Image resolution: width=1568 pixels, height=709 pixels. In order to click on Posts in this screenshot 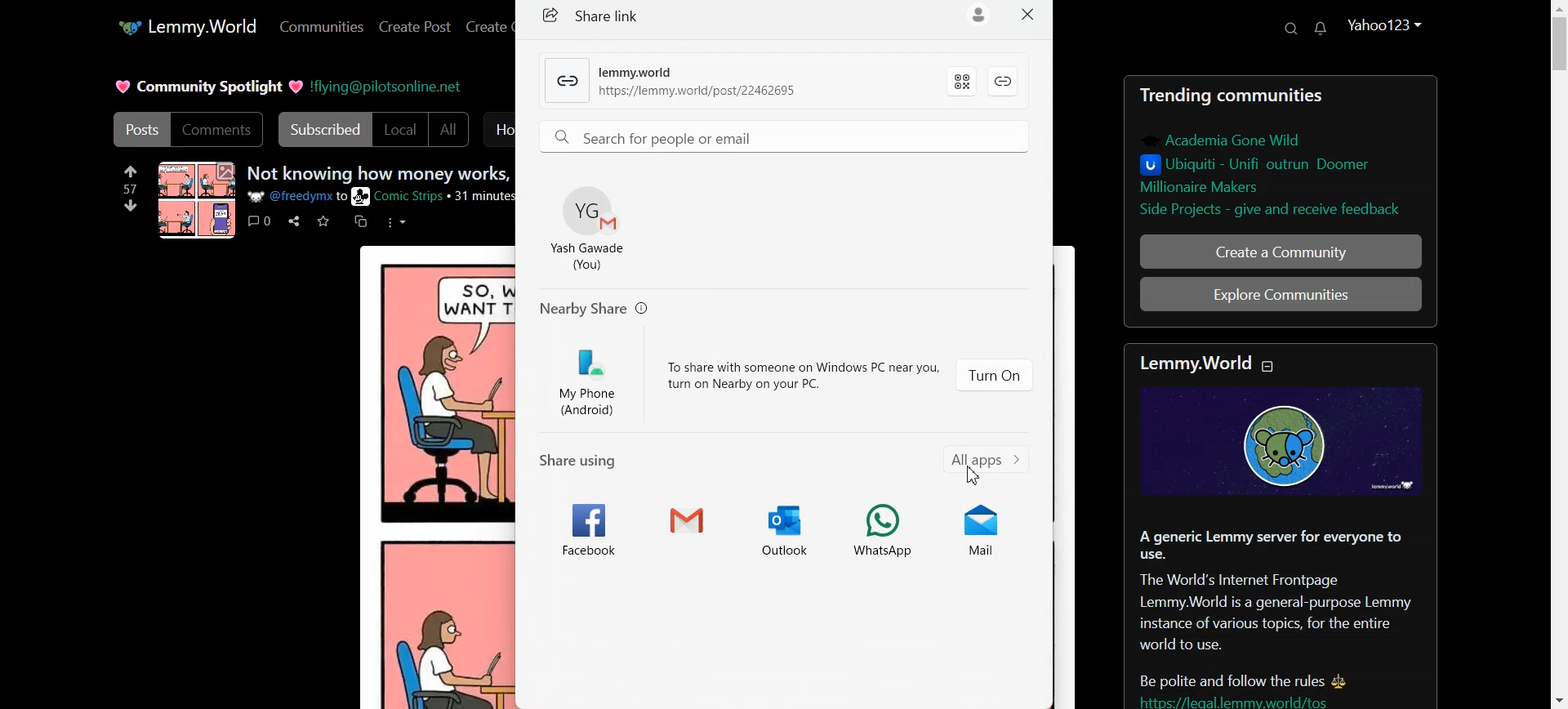, I will do `click(138, 129)`.